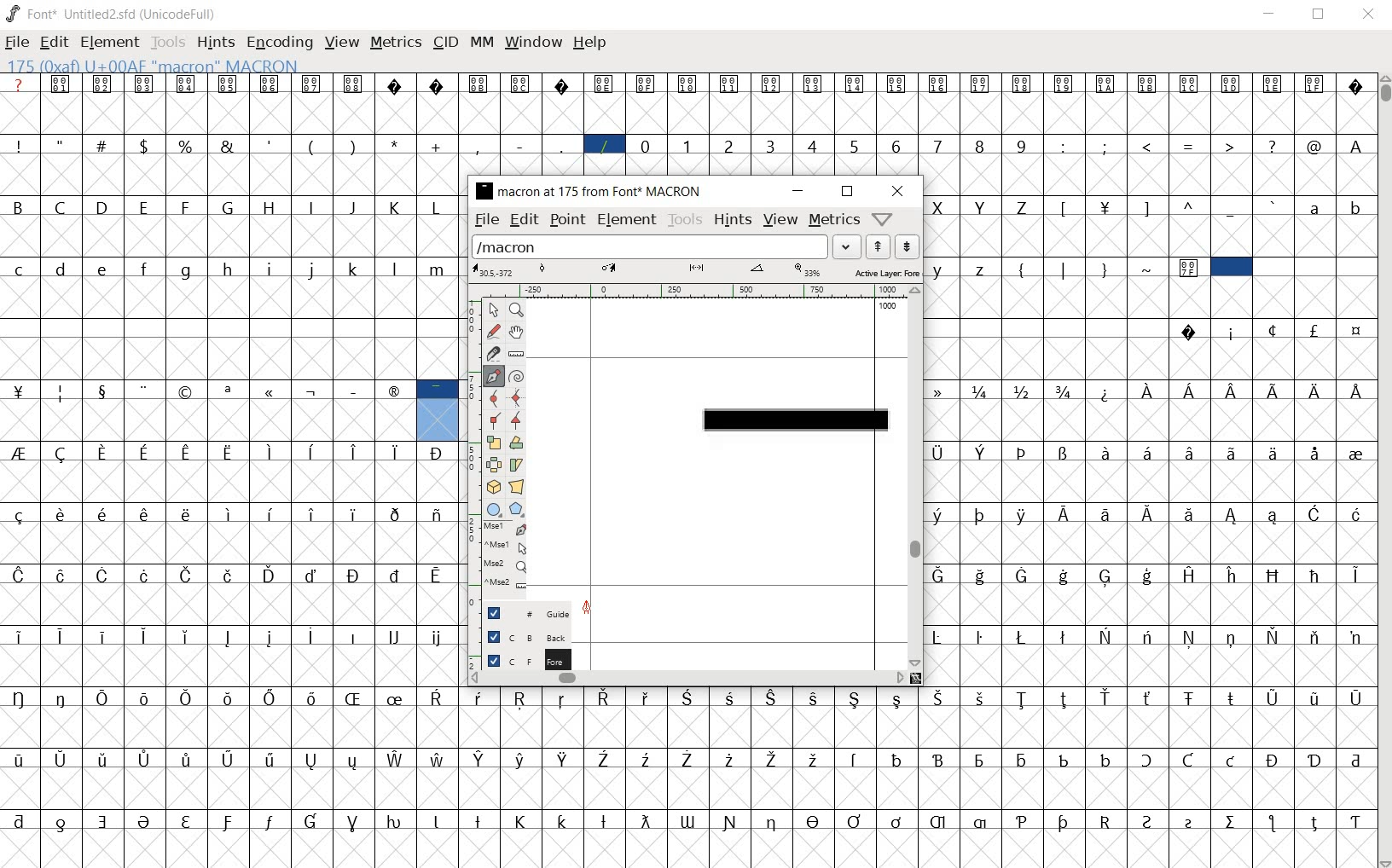 The width and height of the screenshot is (1392, 868). Describe the element at coordinates (1383, 472) in the screenshot. I see `SCROLLBAR` at that location.